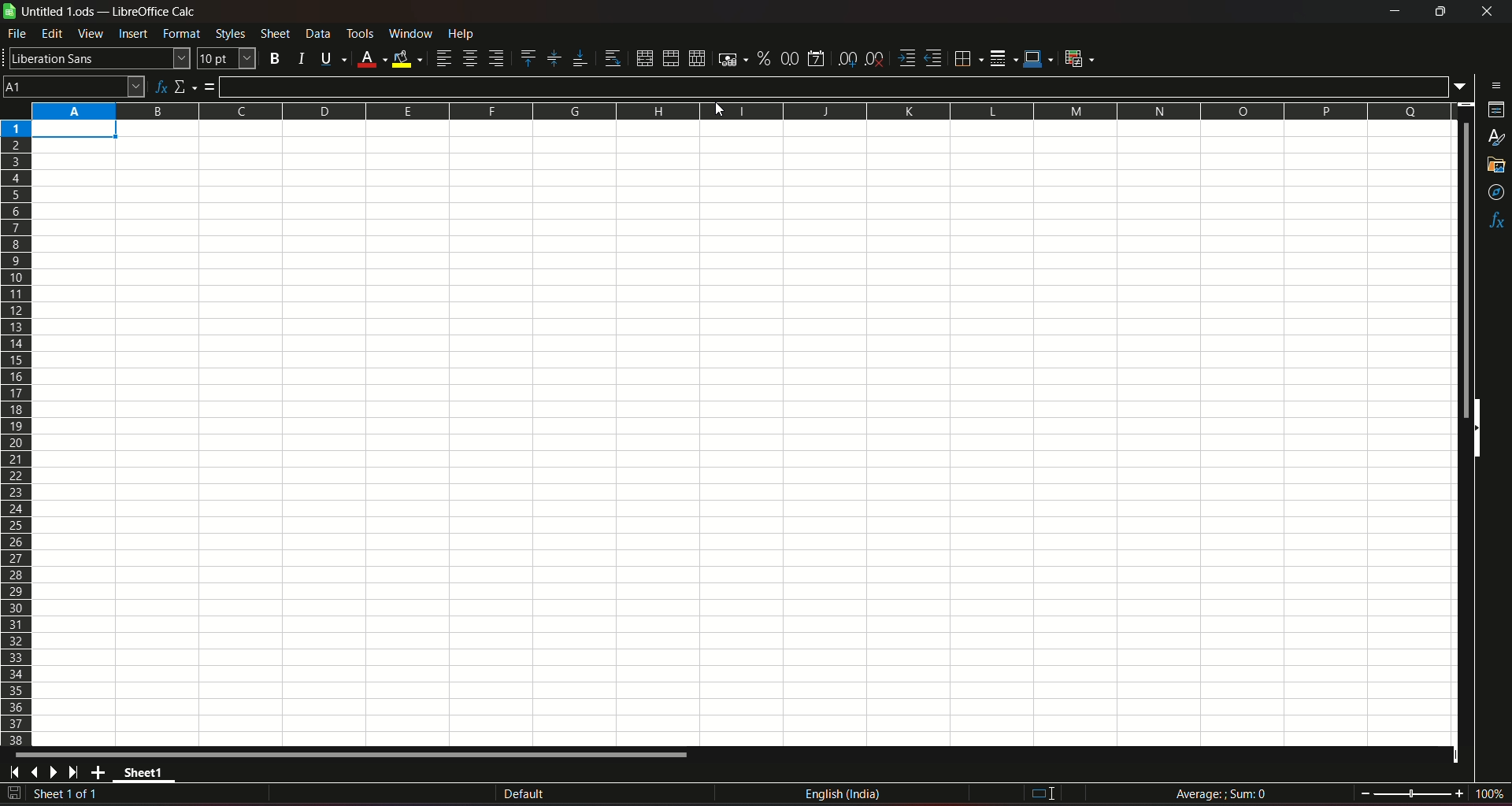  I want to click on conditional, so click(1084, 59).